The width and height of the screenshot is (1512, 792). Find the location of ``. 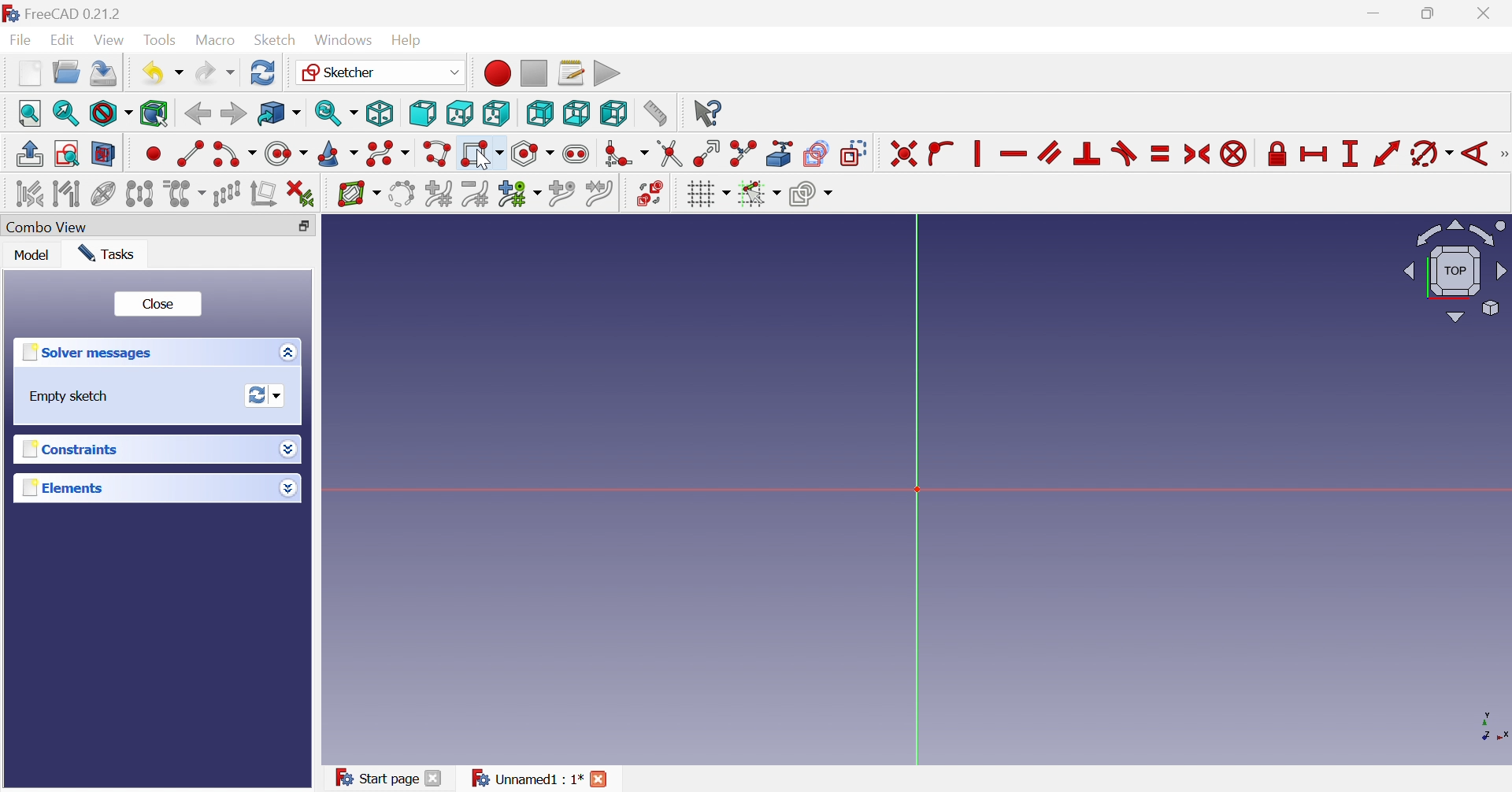

 is located at coordinates (301, 194).